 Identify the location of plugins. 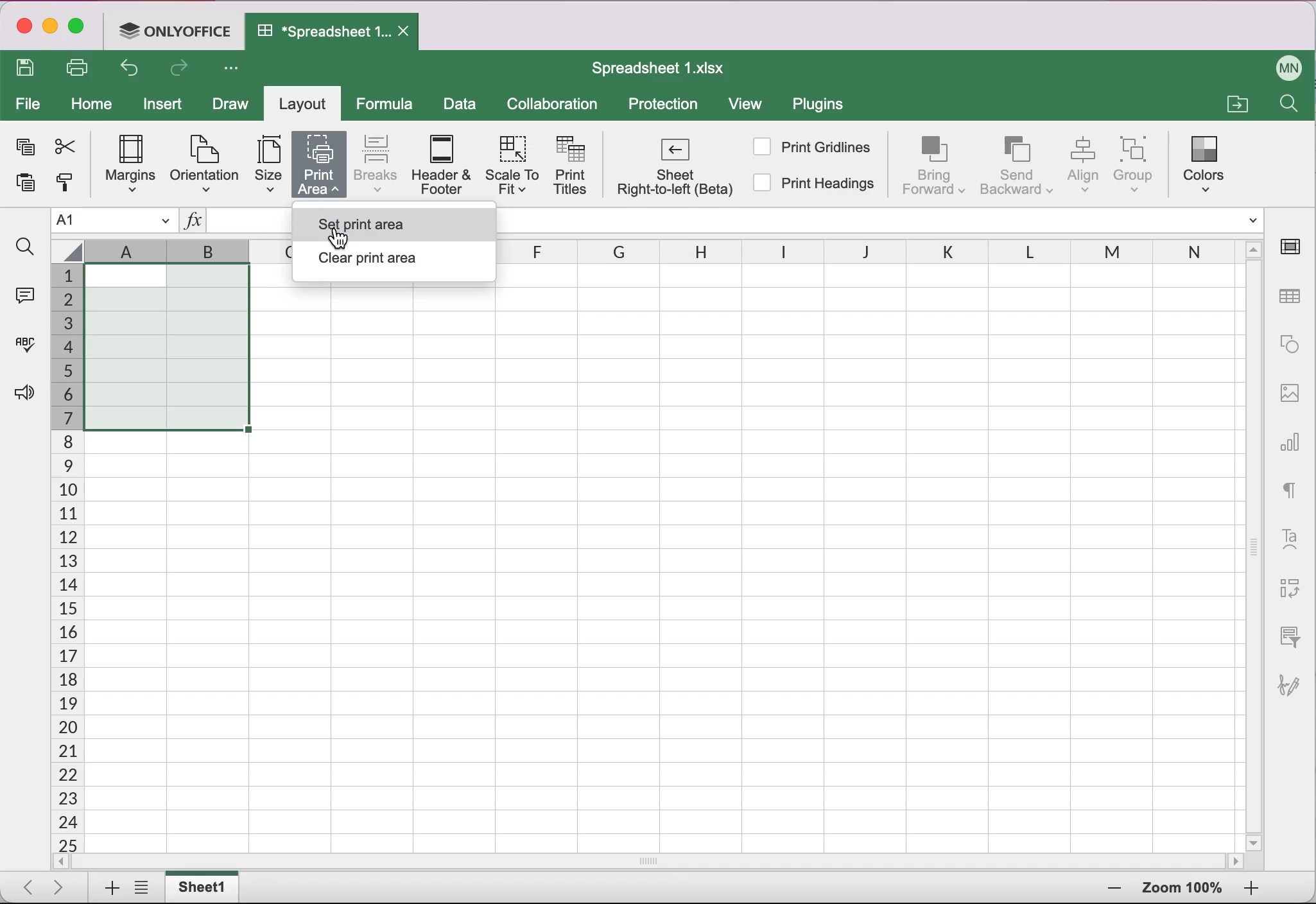
(824, 107).